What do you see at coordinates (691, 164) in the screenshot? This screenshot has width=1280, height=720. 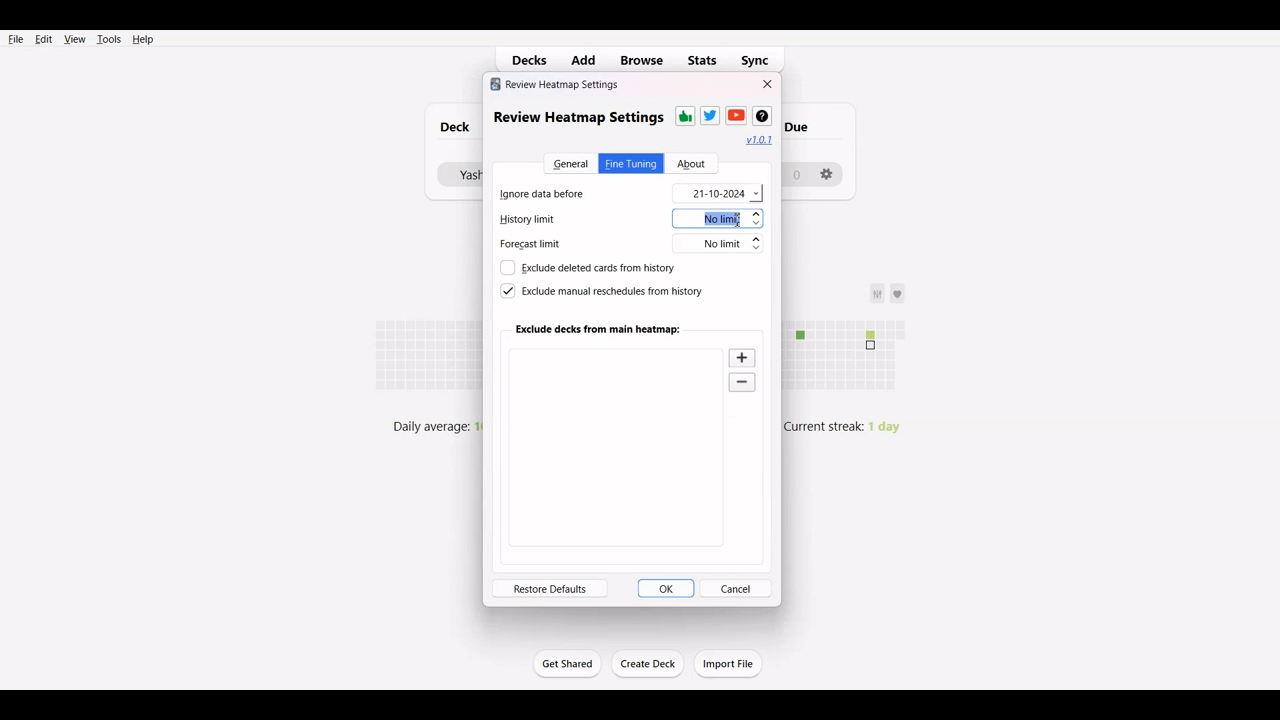 I see `About` at bounding box center [691, 164].